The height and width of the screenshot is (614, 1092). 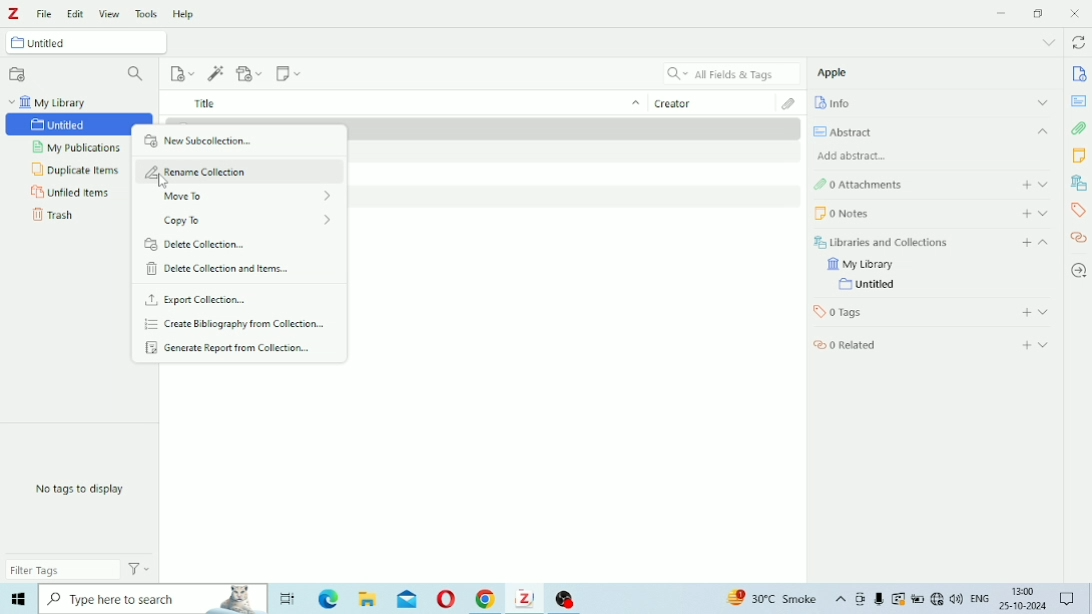 What do you see at coordinates (1079, 156) in the screenshot?
I see `Notes` at bounding box center [1079, 156].